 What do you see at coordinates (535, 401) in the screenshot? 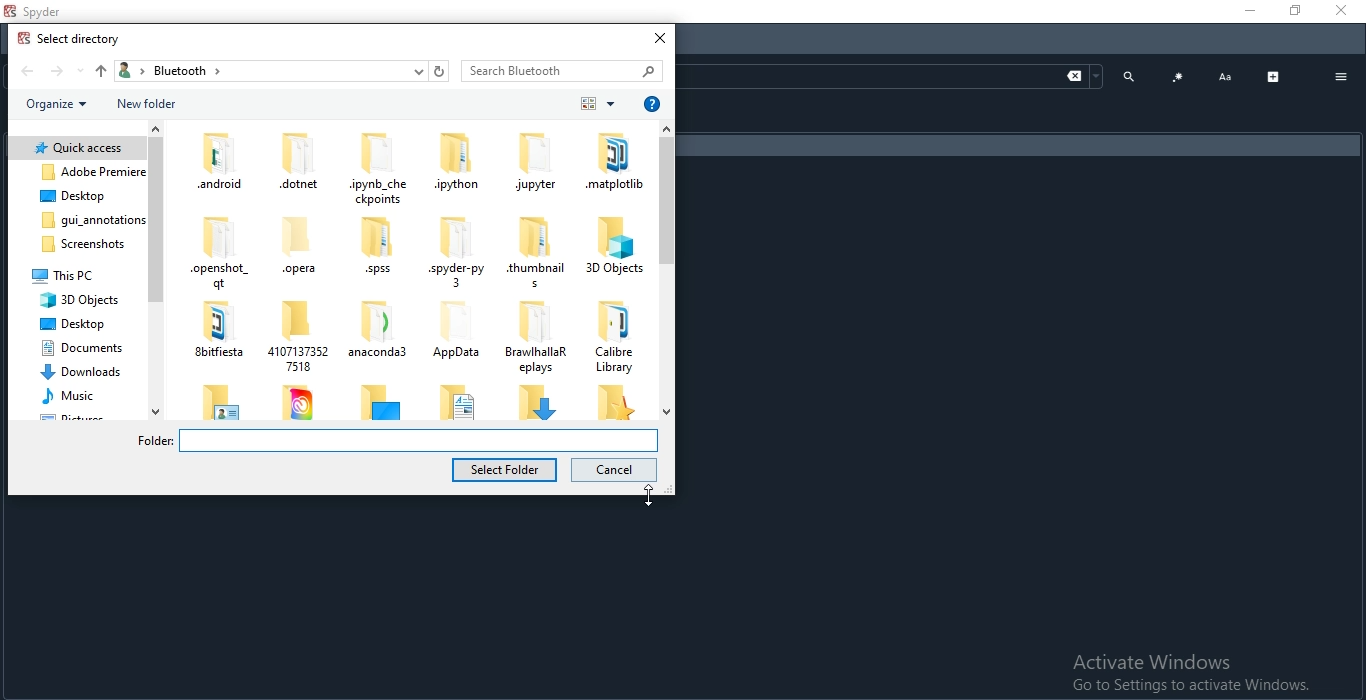
I see `folder` at bounding box center [535, 401].